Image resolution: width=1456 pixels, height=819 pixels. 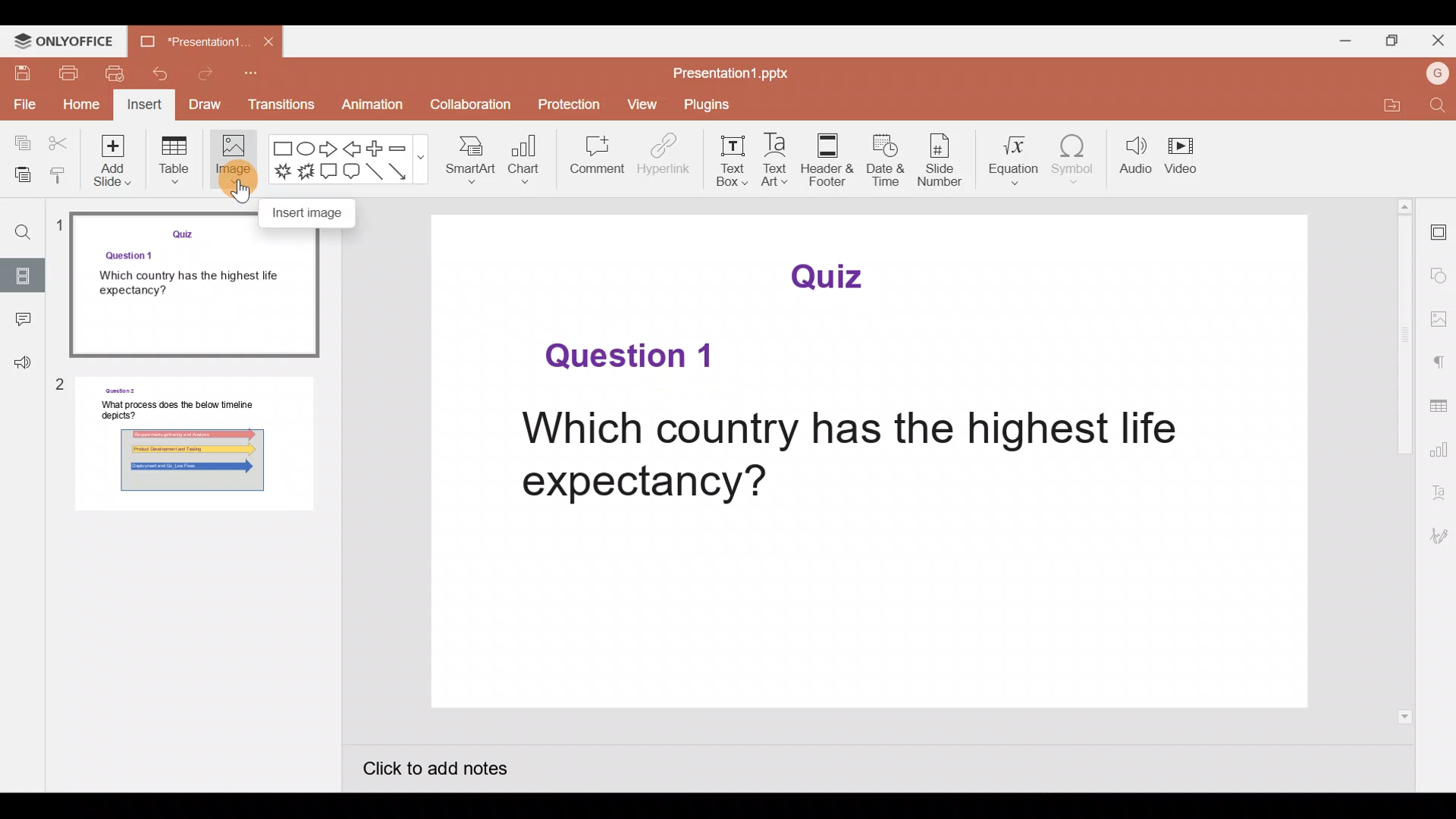 What do you see at coordinates (331, 150) in the screenshot?
I see `Right arrow` at bounding box center [331, 150].